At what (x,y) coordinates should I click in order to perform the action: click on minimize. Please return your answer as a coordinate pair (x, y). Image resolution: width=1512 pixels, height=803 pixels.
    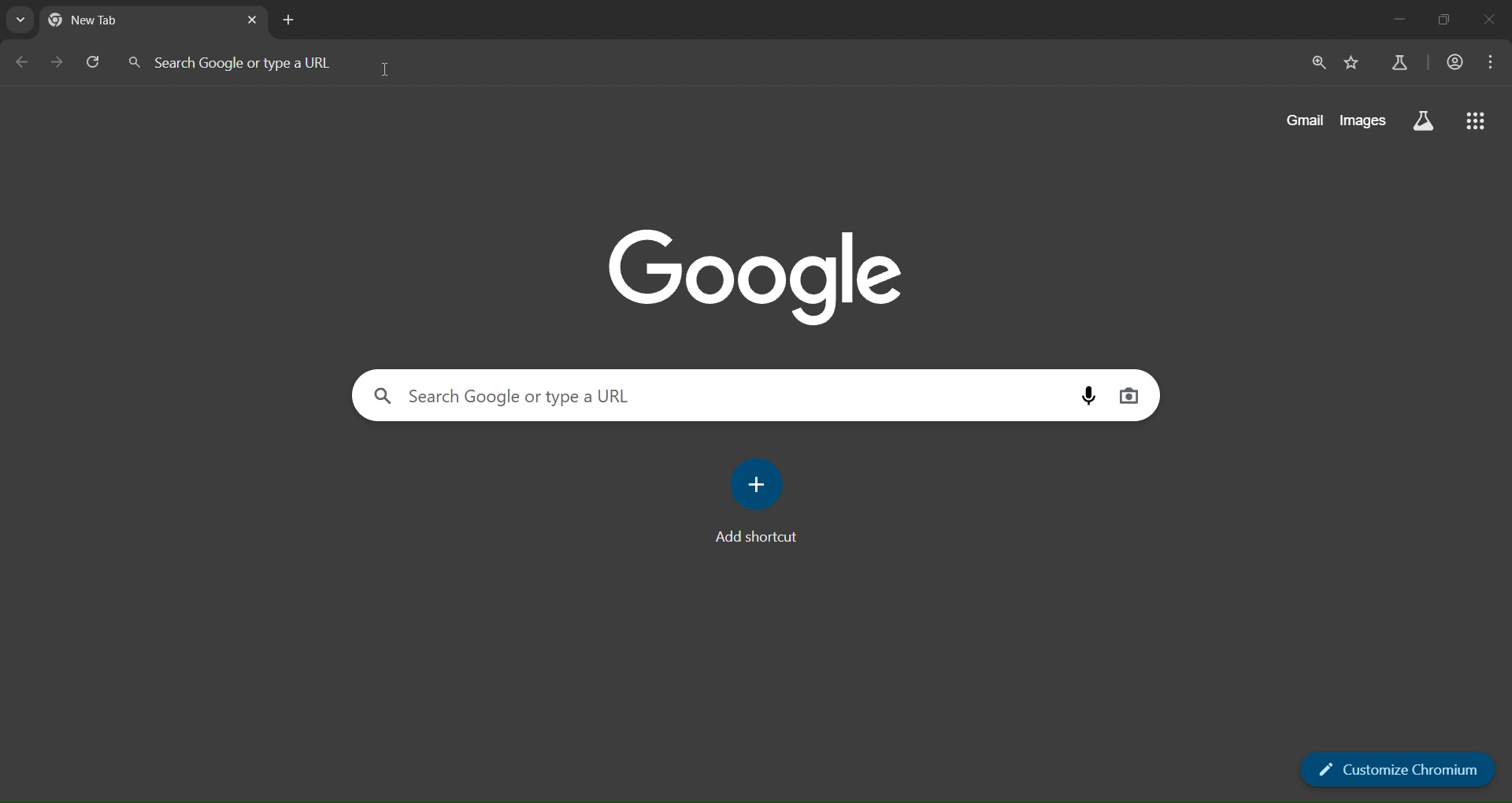
    Looking at the image, I should click on (1403, 20).